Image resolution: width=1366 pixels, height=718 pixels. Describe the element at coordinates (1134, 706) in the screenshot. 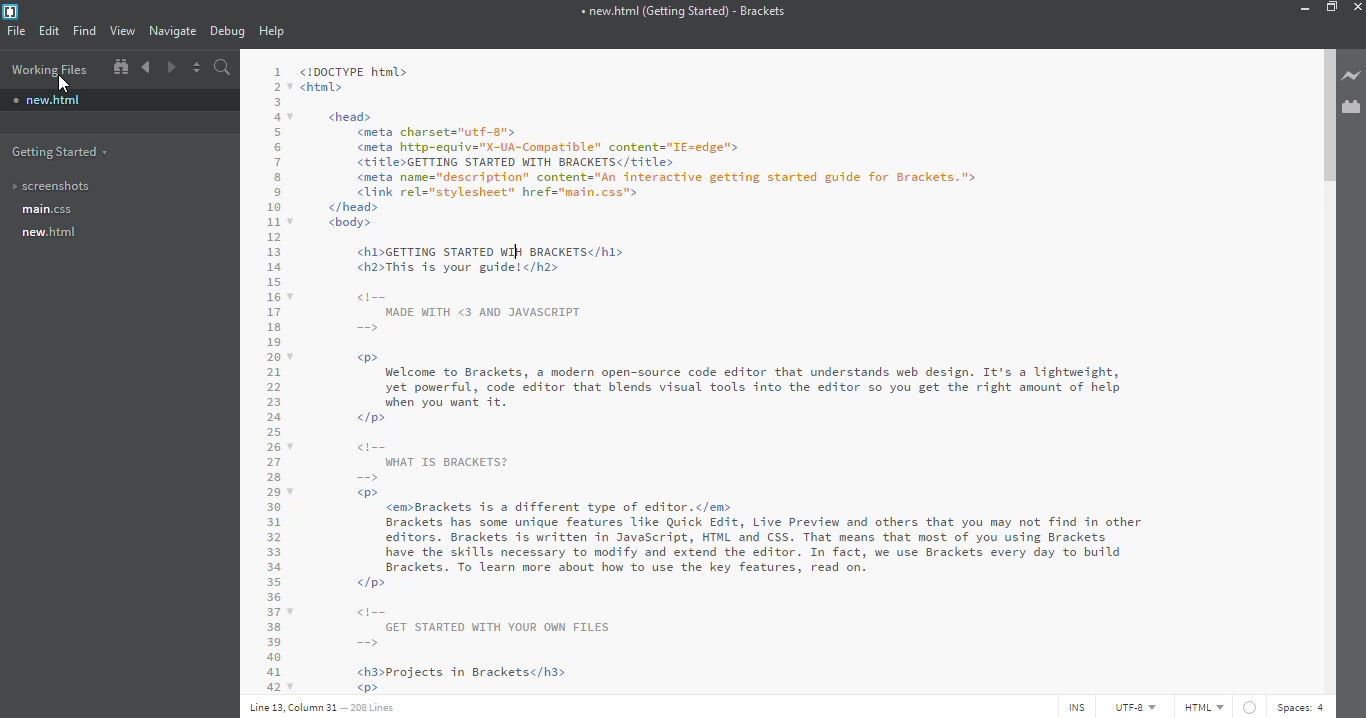

I see `utf` at that location.